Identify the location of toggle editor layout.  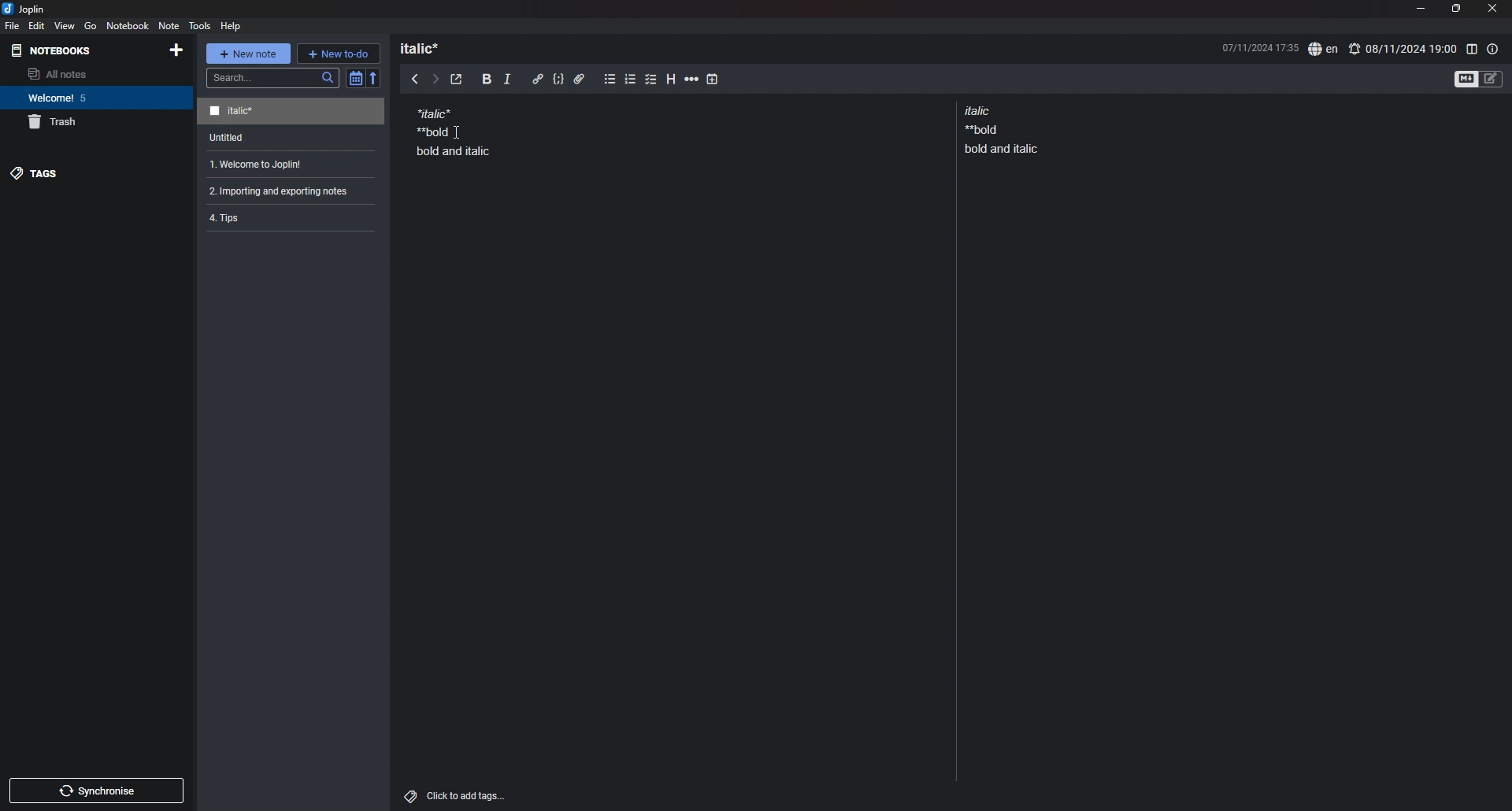
(1471, 49).